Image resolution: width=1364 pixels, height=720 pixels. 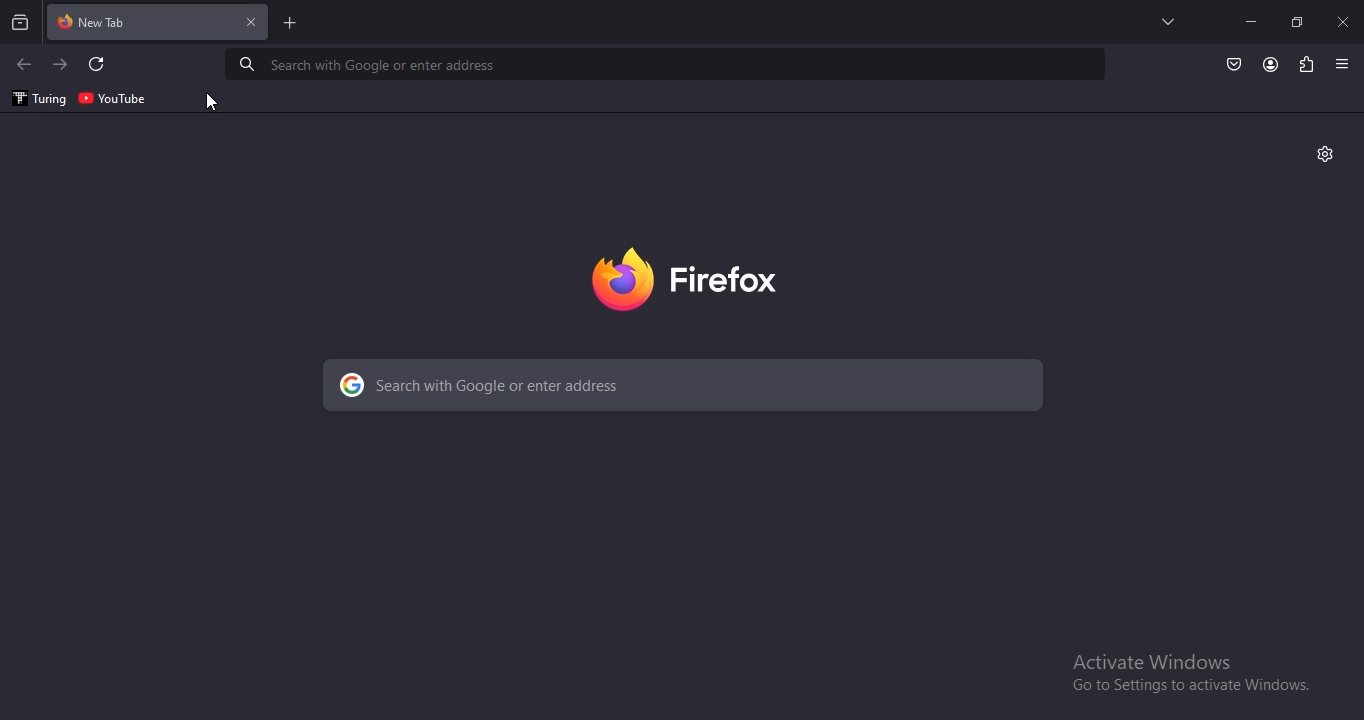 I want to click on extensions, so click(x=1306, y=65).